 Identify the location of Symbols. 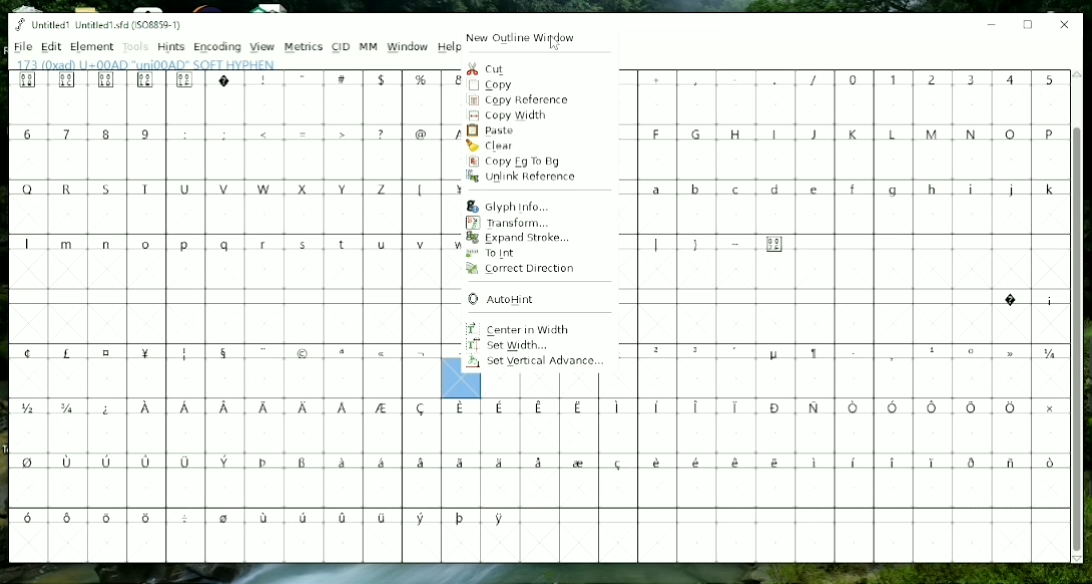
(268, 520).